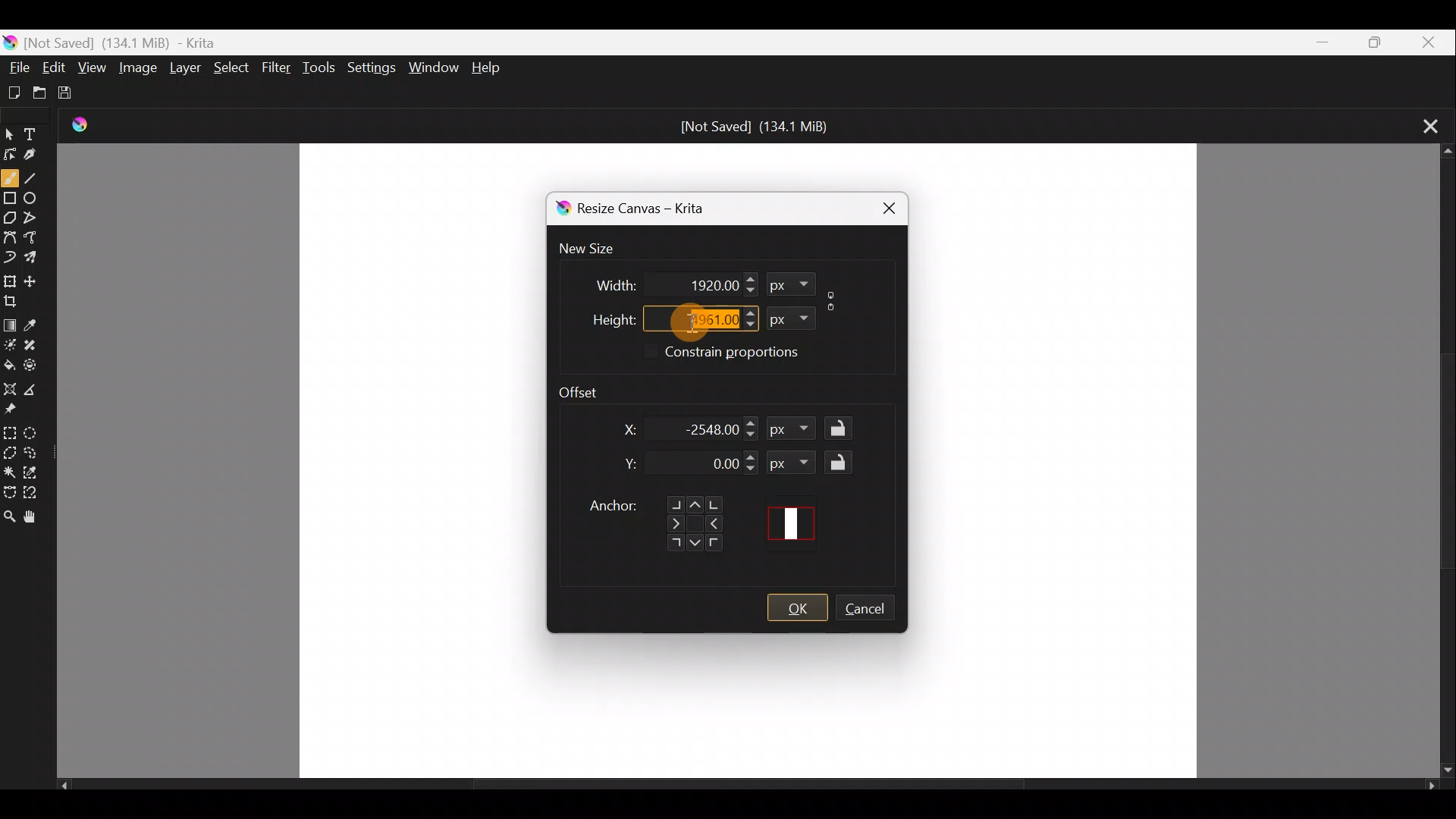  Describe the element at coordinates (11, 130) in the screenshot. I see `Select shapes tool` at that location.